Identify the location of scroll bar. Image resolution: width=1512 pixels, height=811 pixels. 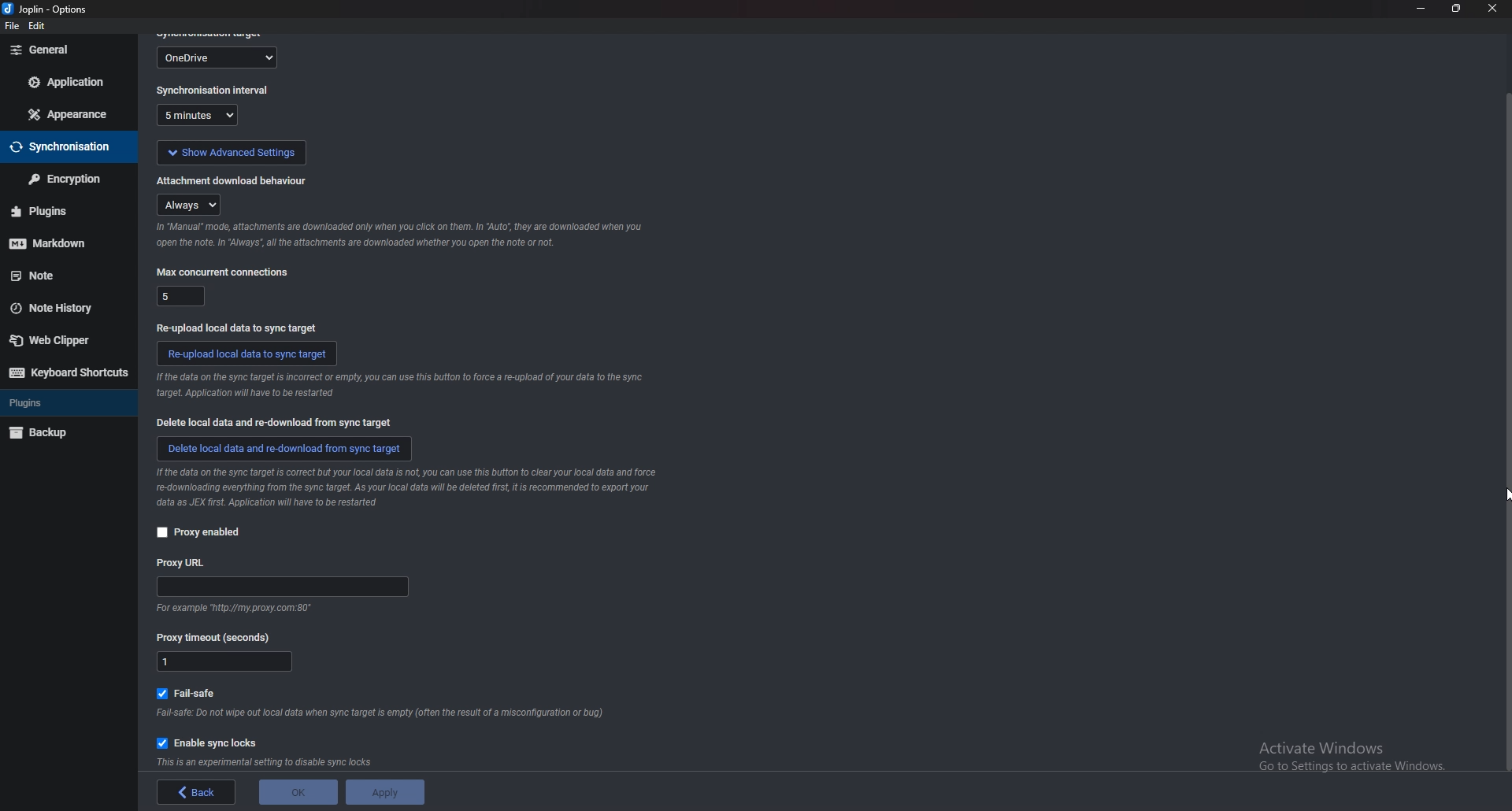
(1506, 433).